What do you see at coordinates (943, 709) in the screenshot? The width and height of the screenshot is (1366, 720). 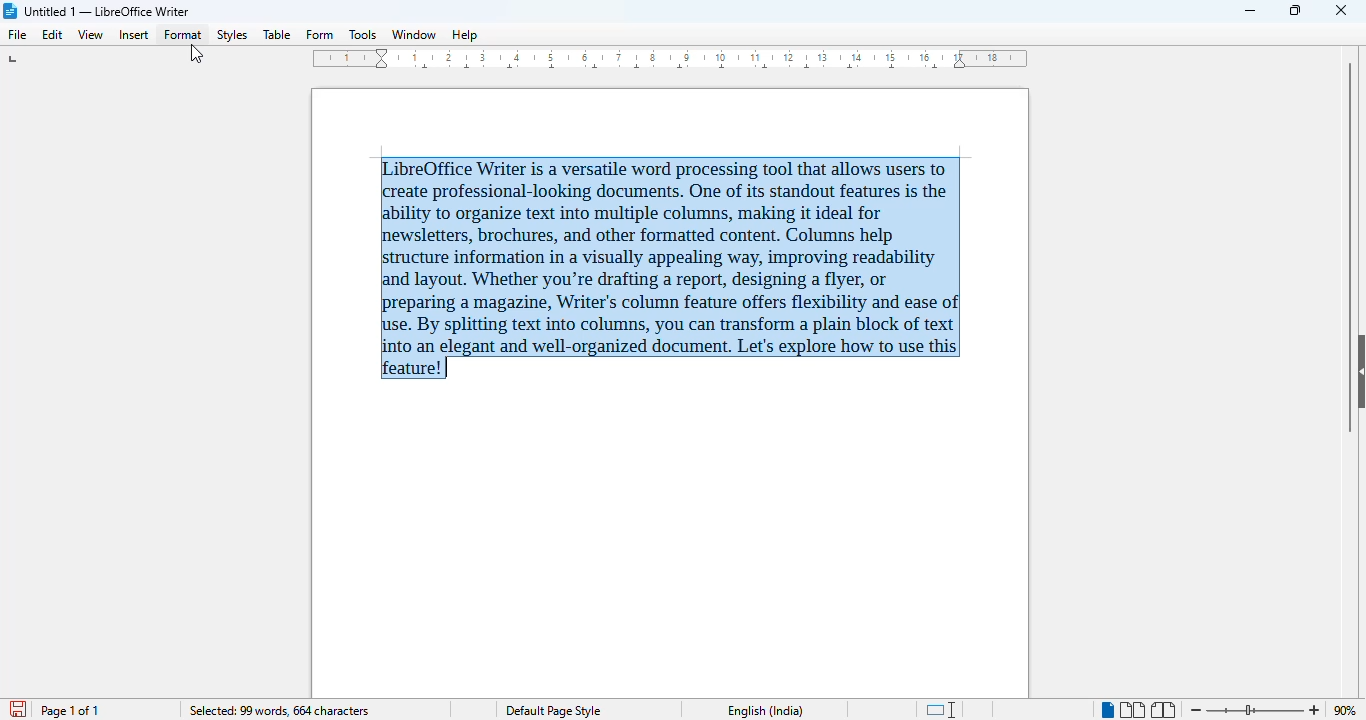 I see `standard selection` at bounding box center [943, 709].